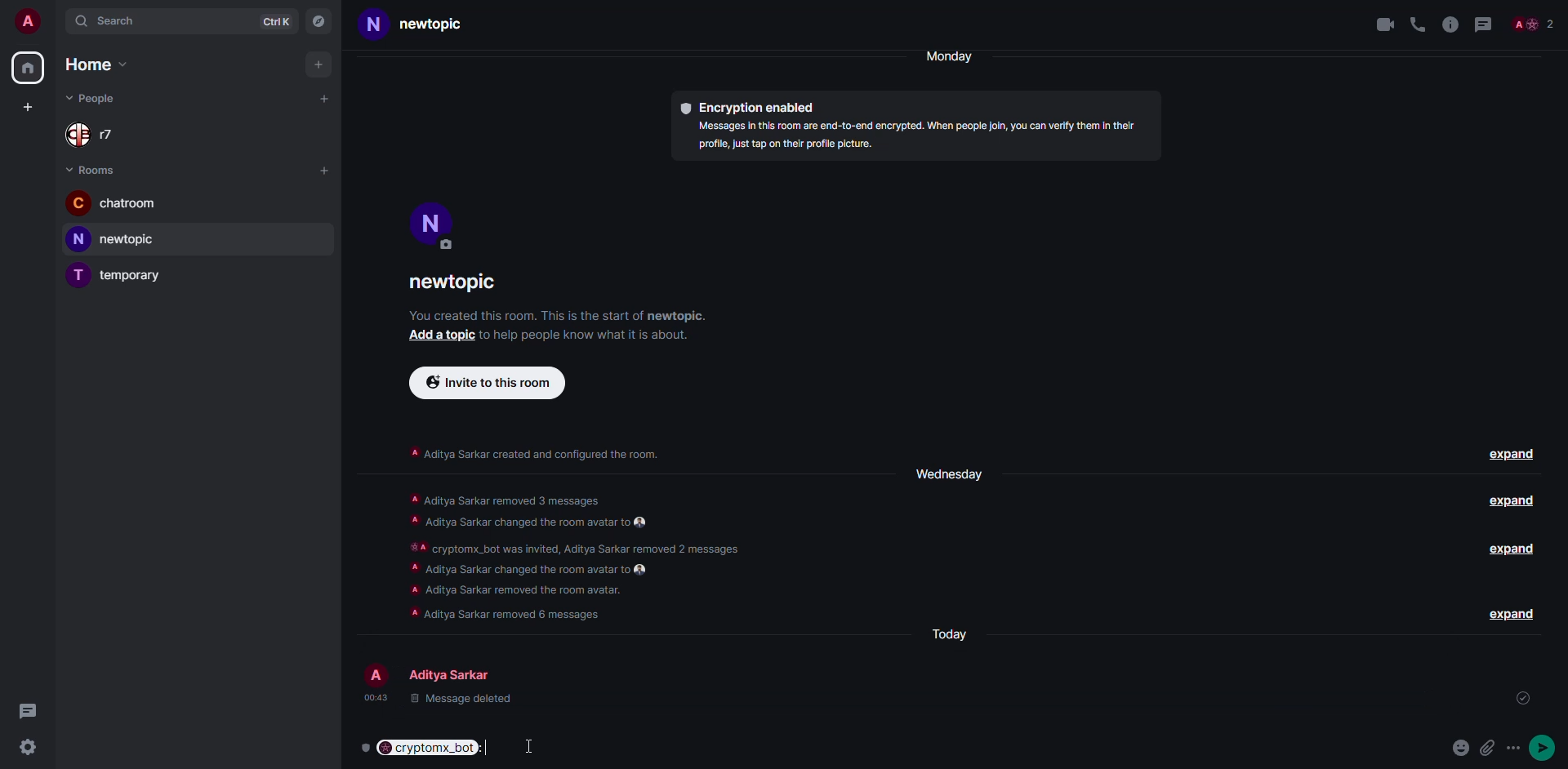 Image resolution: width=1568 pixels, height=769 pixels. I want to click on home, so click(93, 64).